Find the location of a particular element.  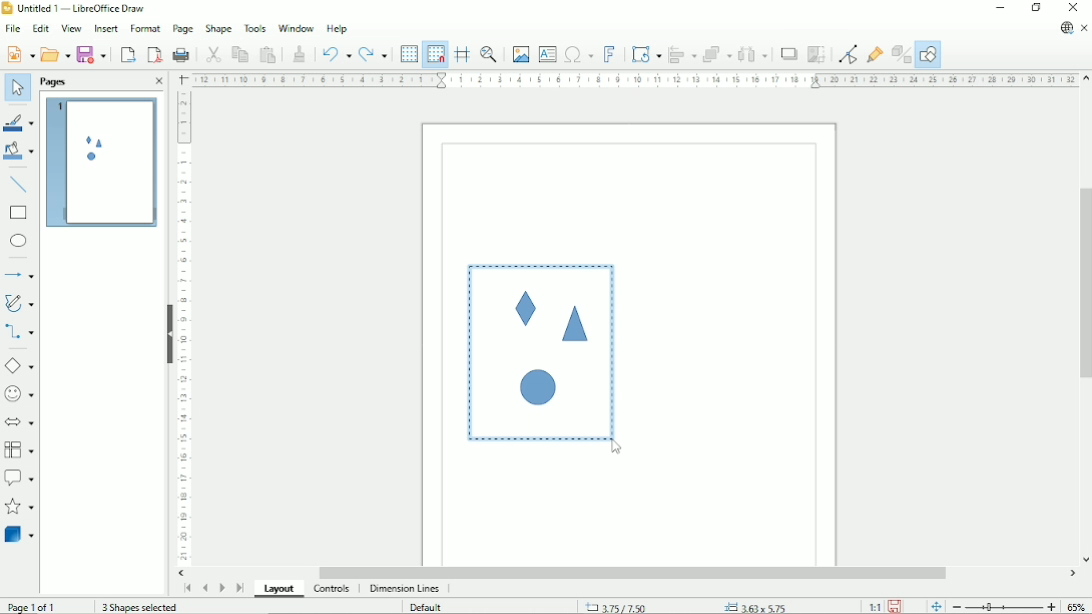

Page is located at coordinates (183, 29).